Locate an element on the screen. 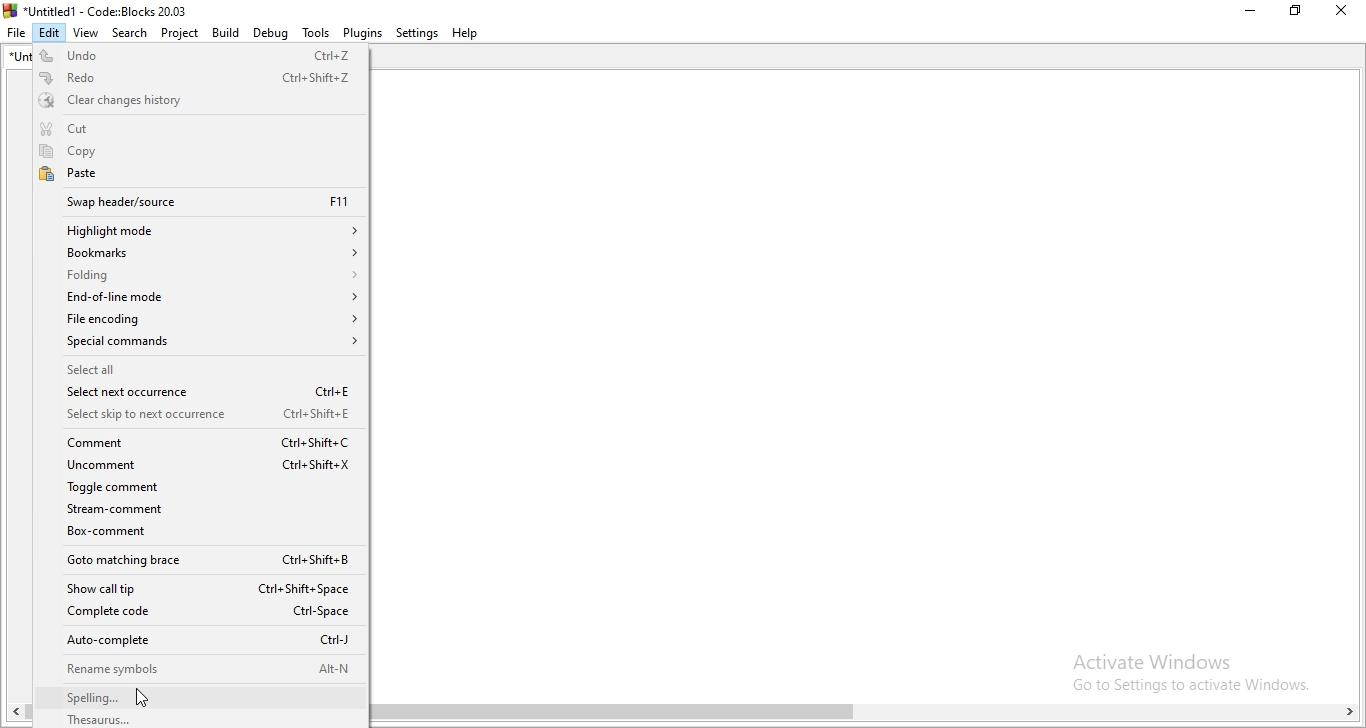 The width and height of the screenshot is (1366, 728). Help is located at coordinates (464, 33).